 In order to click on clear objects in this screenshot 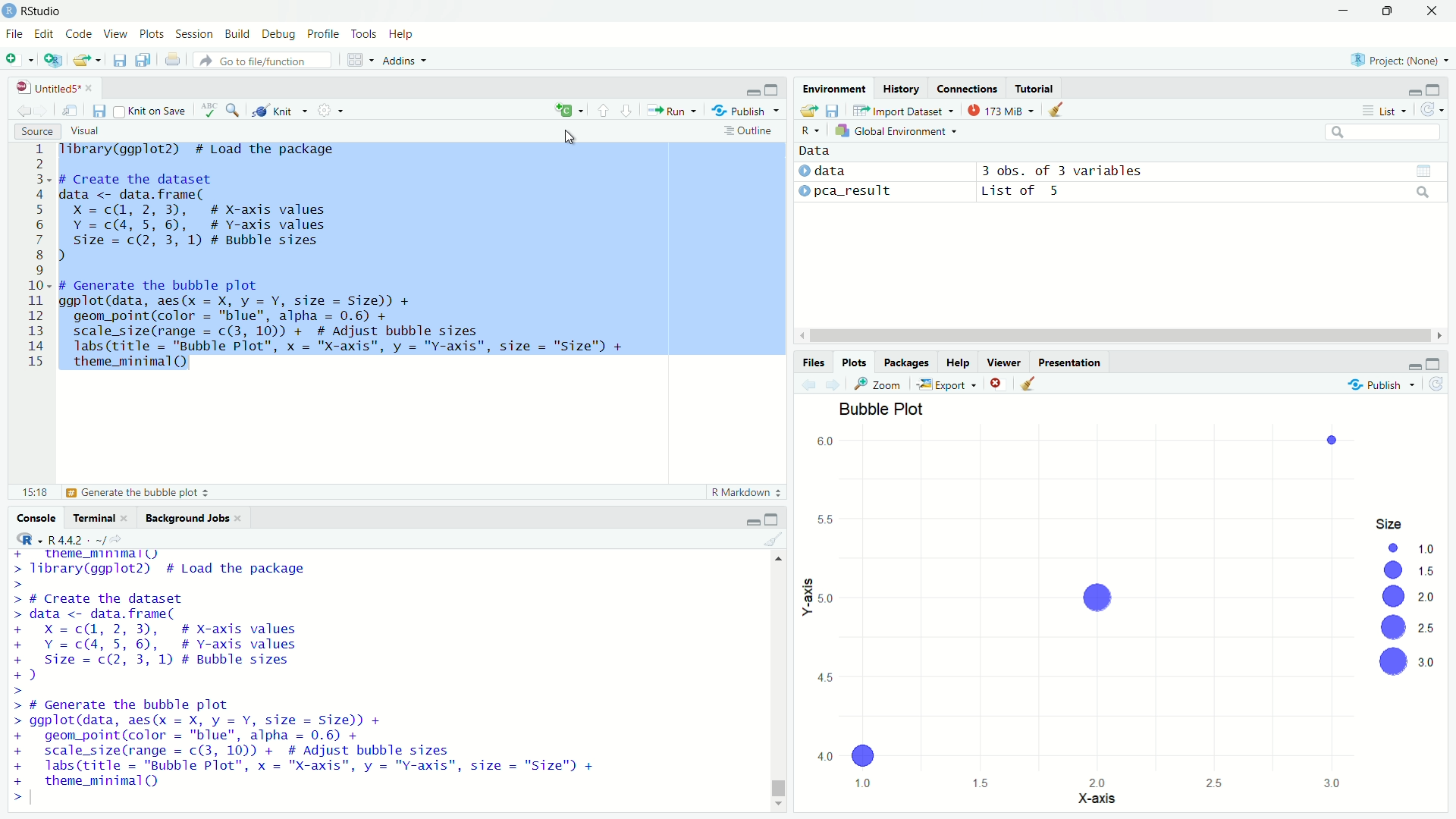, I will do `click(1057, 108)`.